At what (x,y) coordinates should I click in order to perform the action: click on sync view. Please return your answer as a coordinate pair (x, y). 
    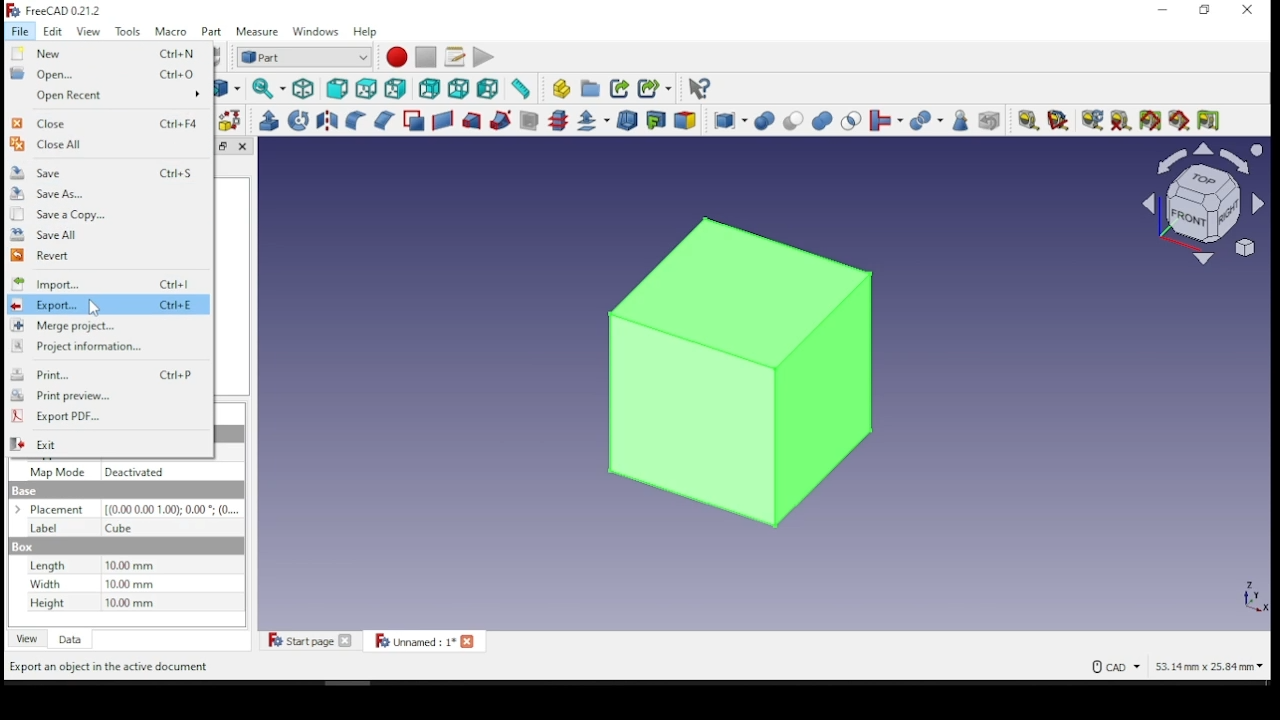
    Looking at the image, I should click on (269, 89).